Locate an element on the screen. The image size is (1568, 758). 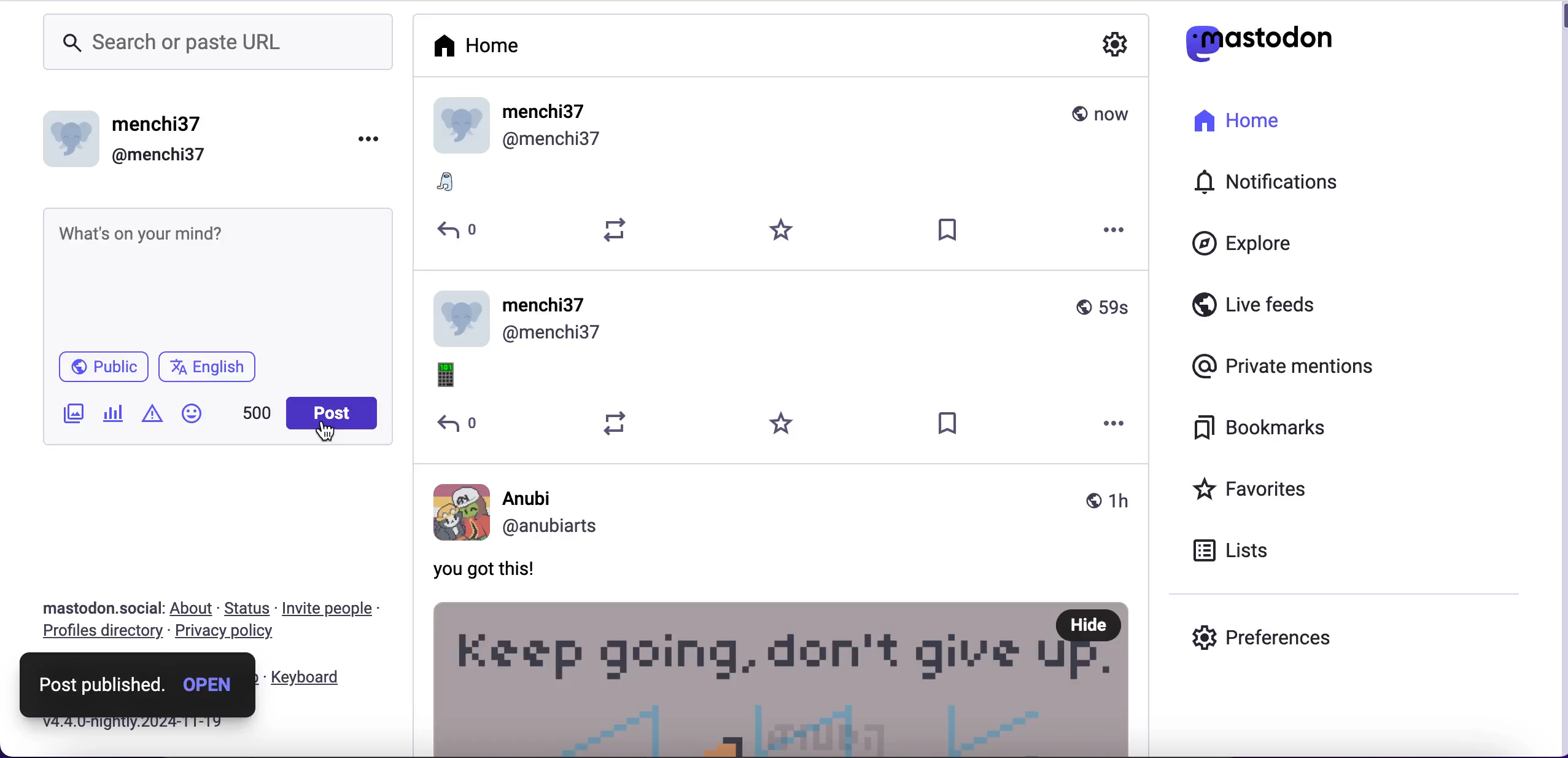
live feeds is located at coordinates (1260, 304).